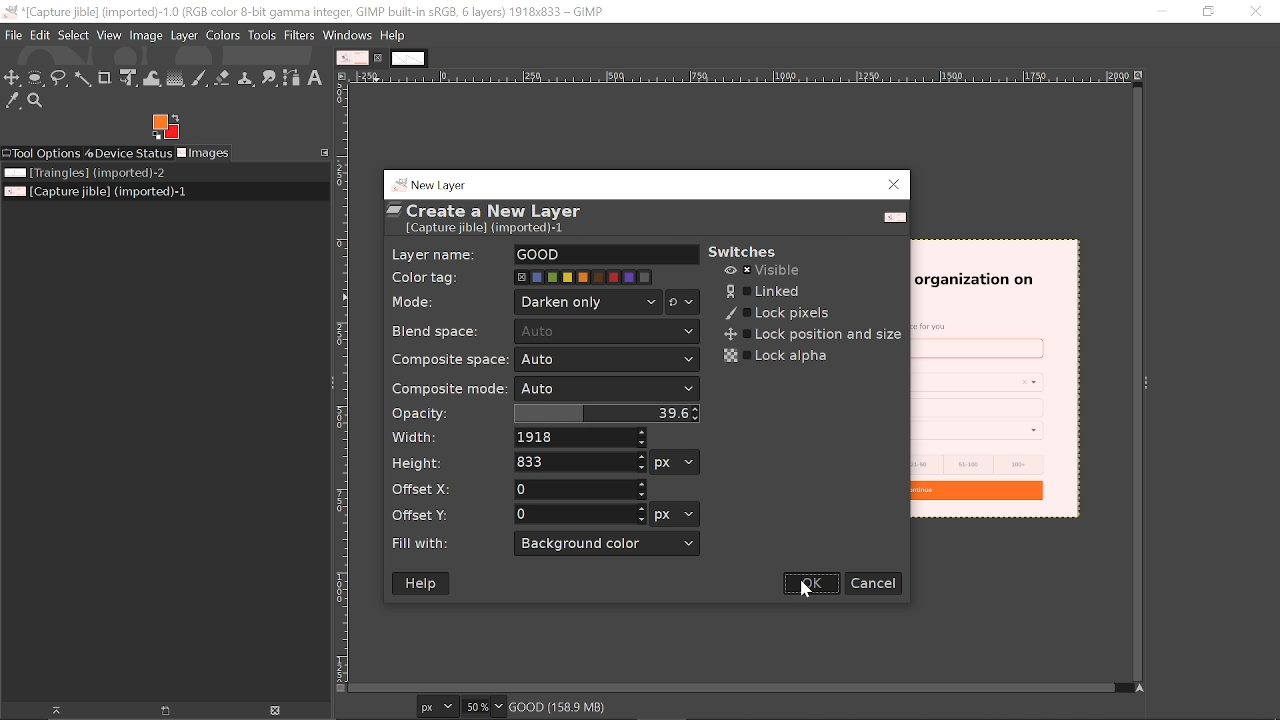 Image resolution: width=1280 pixels, height=720 pixels. I want to click on Cancel, so click(874, 583).